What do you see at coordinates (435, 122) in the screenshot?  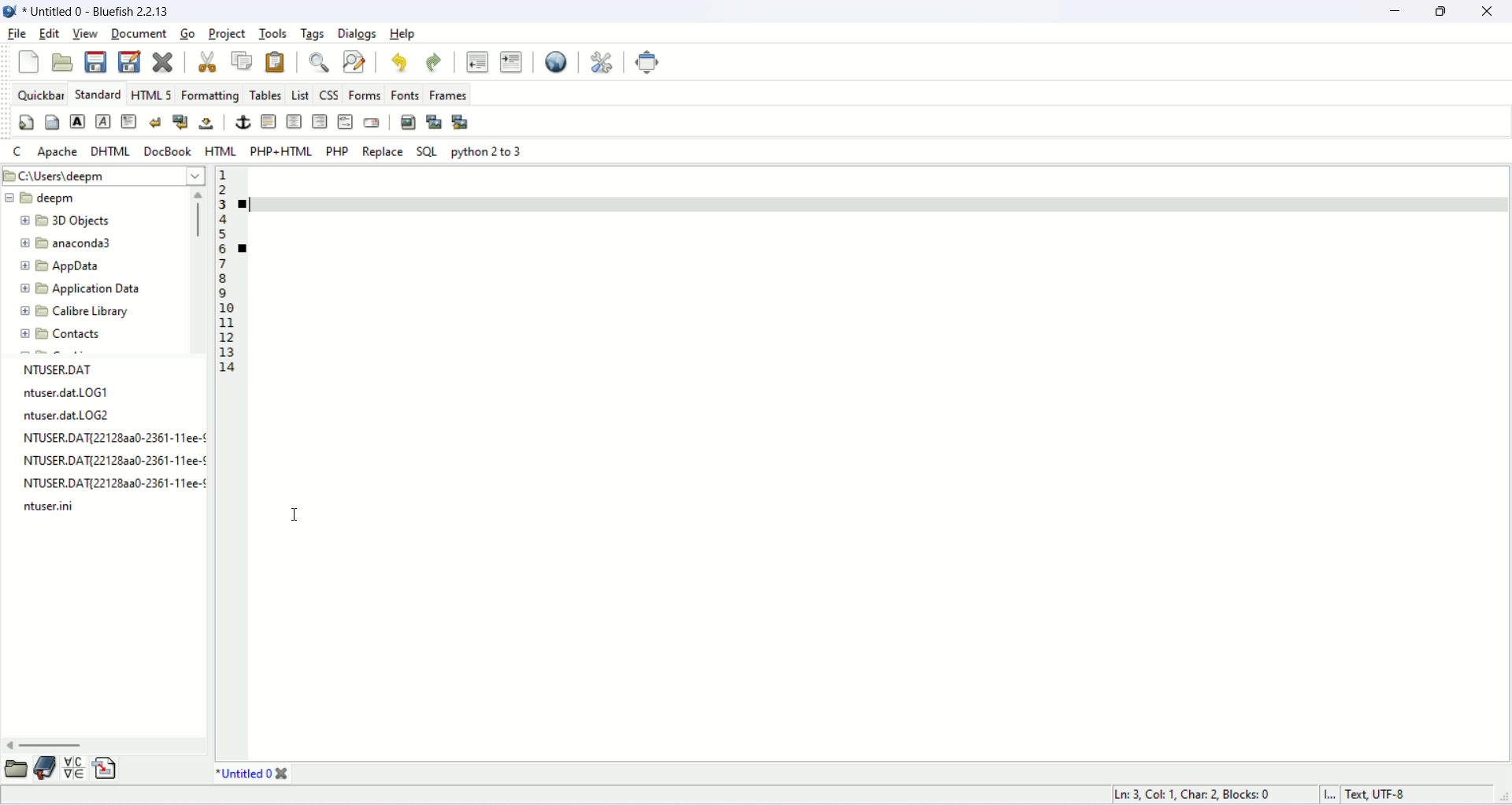 I see `insert thumbnail` at bounding box center [435, 122].